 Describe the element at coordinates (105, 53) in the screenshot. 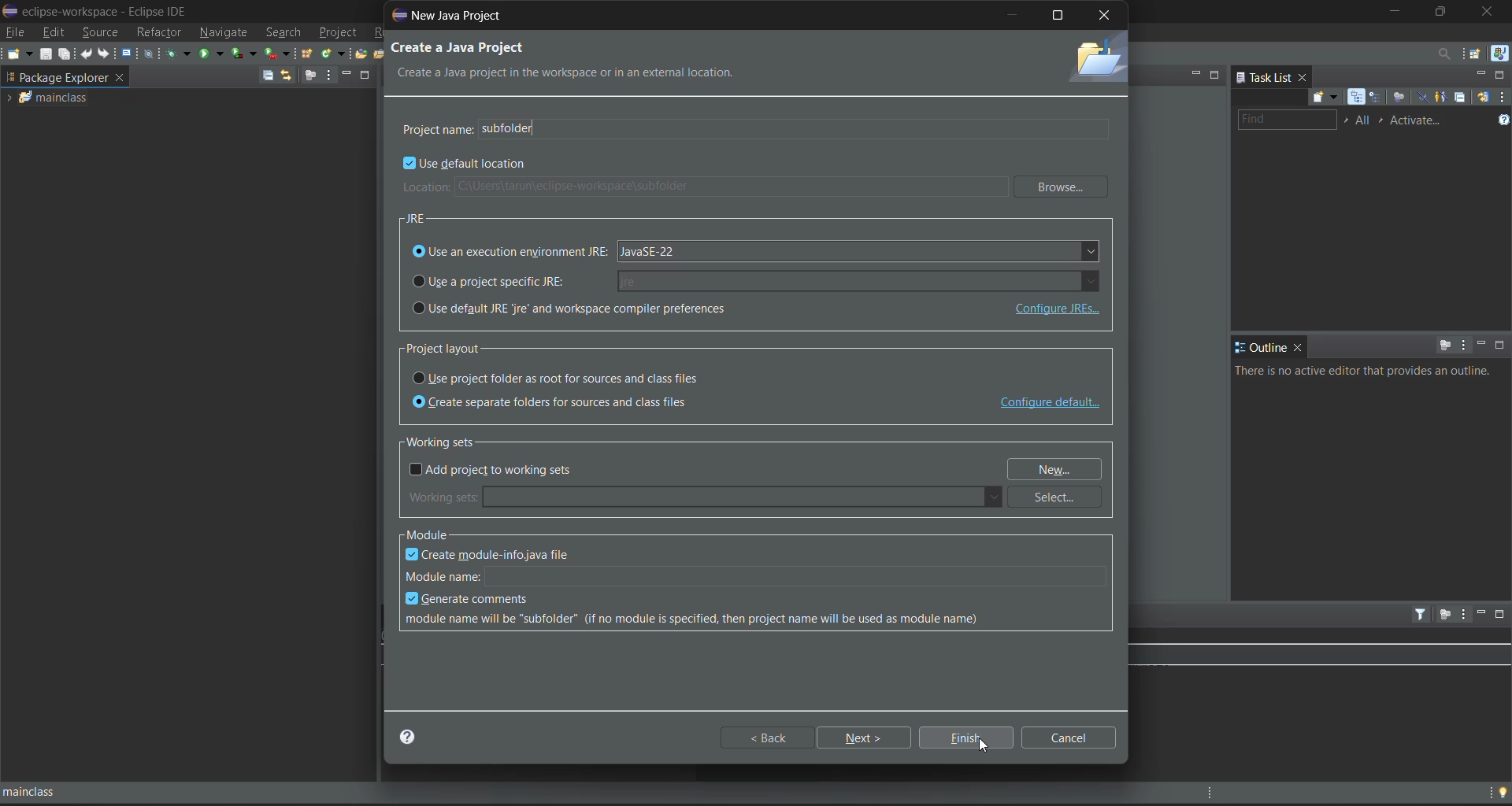

I see `redo` at that location.